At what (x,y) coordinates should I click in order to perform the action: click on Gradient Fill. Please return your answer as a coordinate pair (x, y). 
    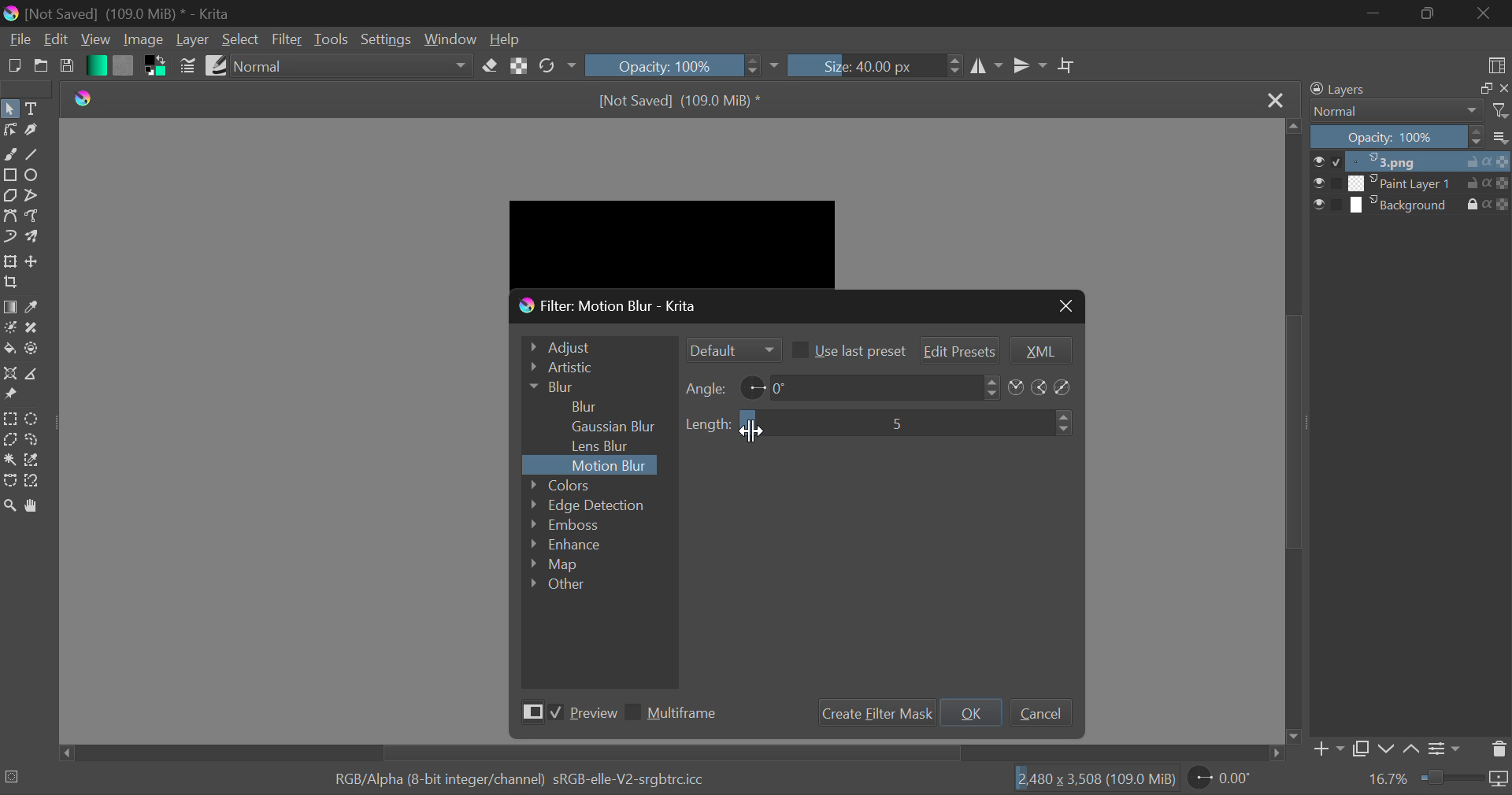
    Looking at the image, I should click on (9, 307).